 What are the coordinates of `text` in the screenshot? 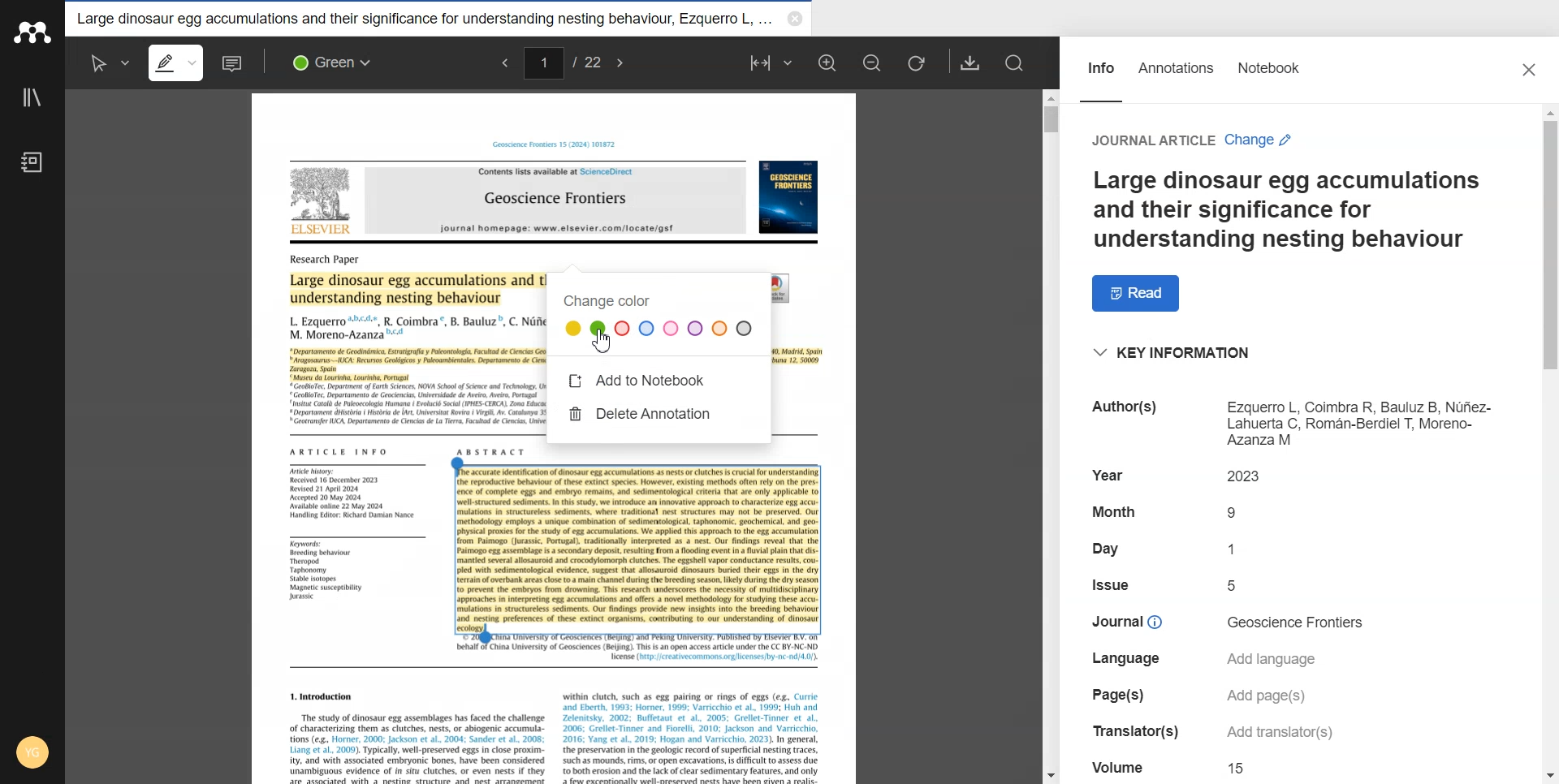 It's located at (1113, 510).